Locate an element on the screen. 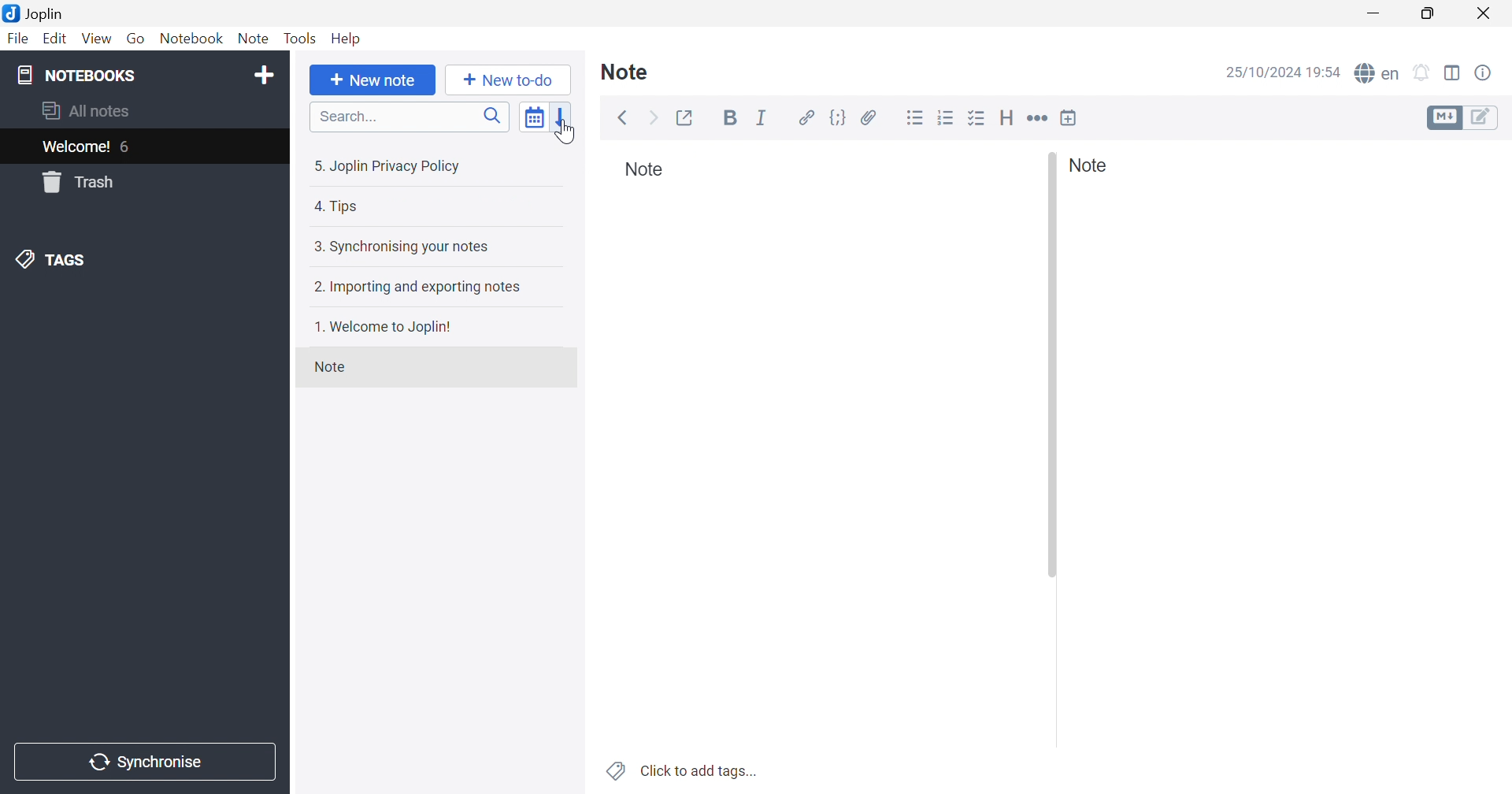 Image resolution: width=1512 pixels, height=794 pixels. Welcome! is located at coordinates (77, 147).